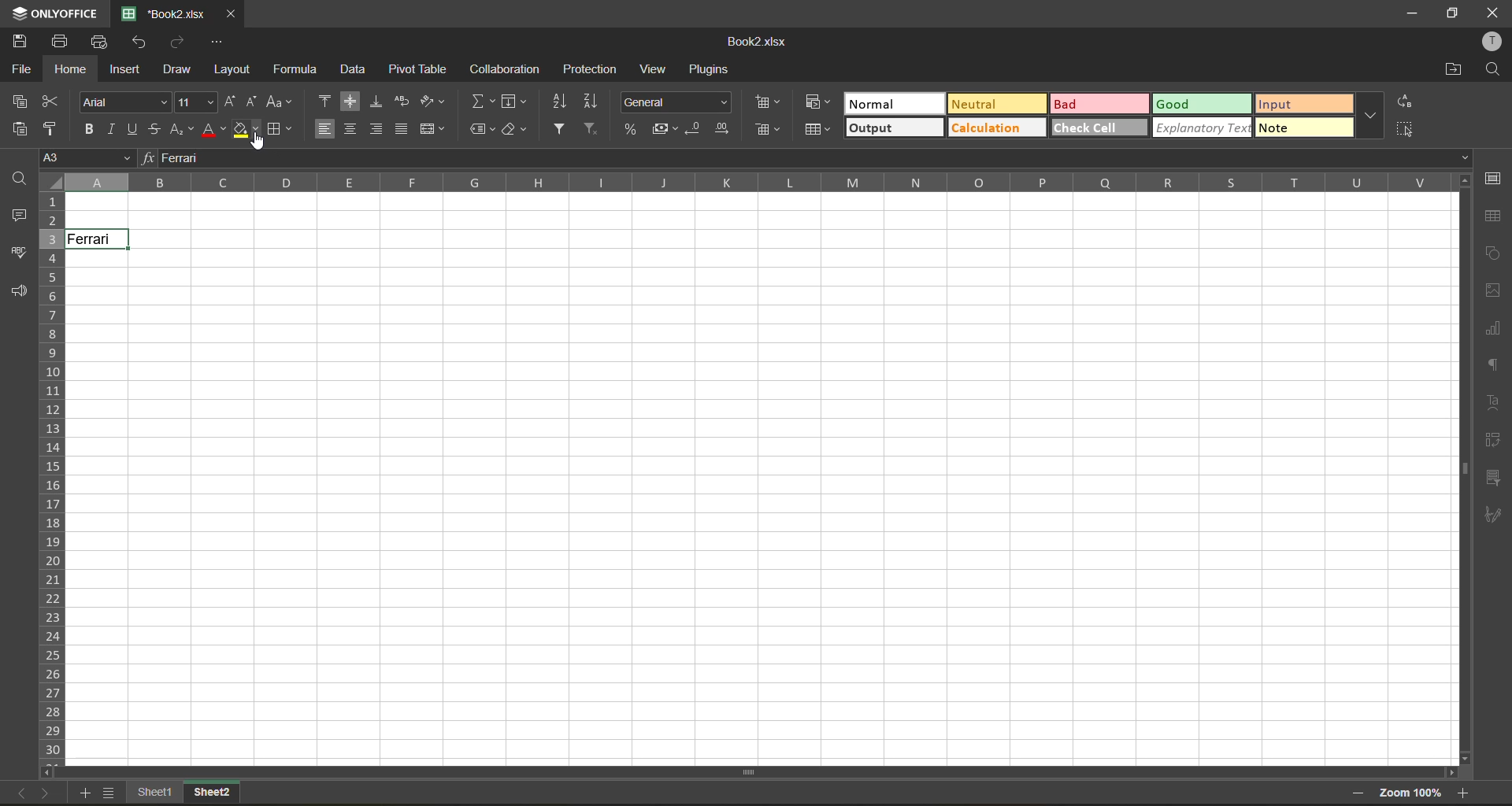 The image size is (1512, 806). Describe the element at coordinates (1491, 13) in the screenshot. I see `close` at that location.